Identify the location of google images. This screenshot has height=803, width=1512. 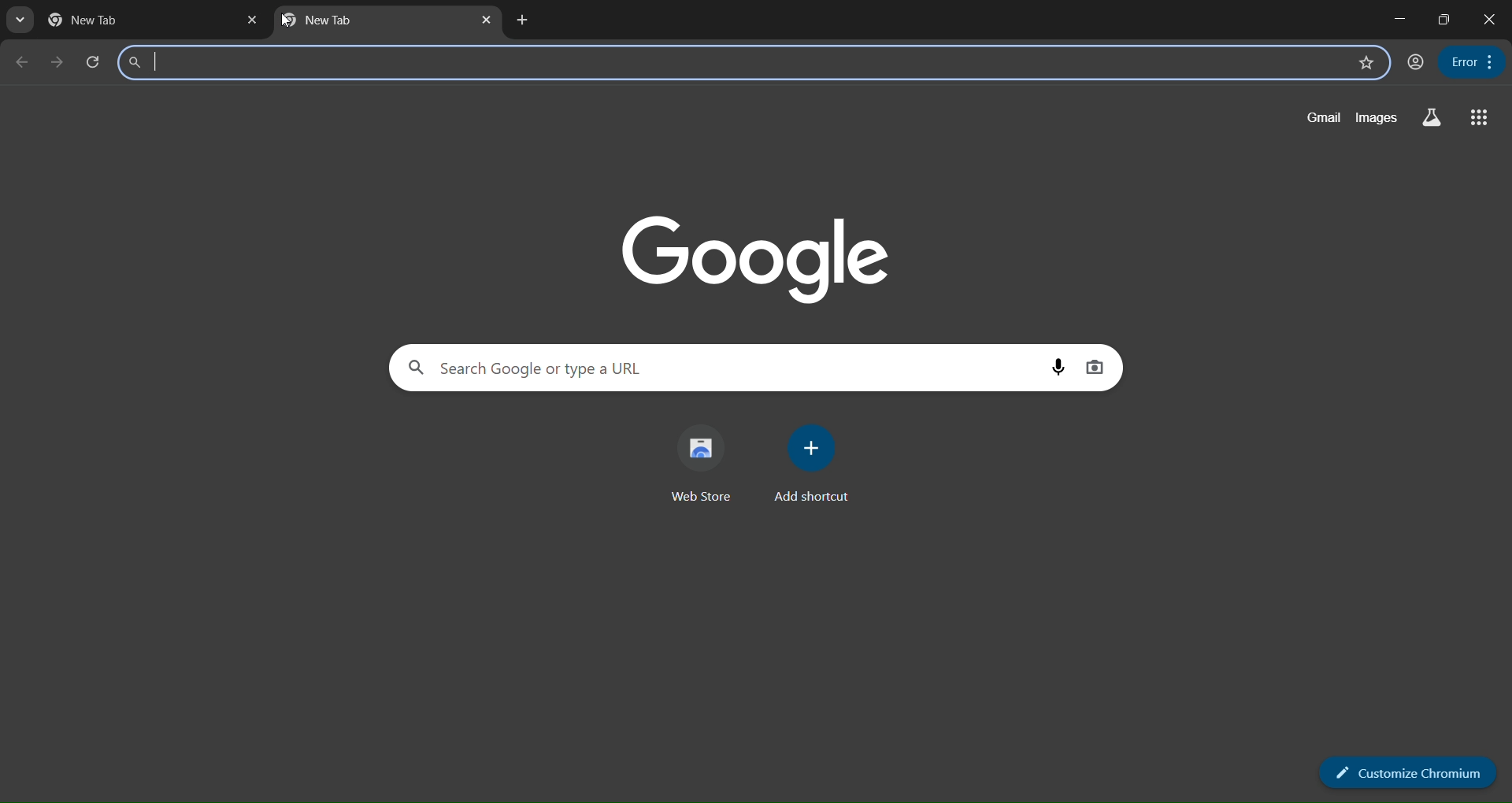
(1378, 118).